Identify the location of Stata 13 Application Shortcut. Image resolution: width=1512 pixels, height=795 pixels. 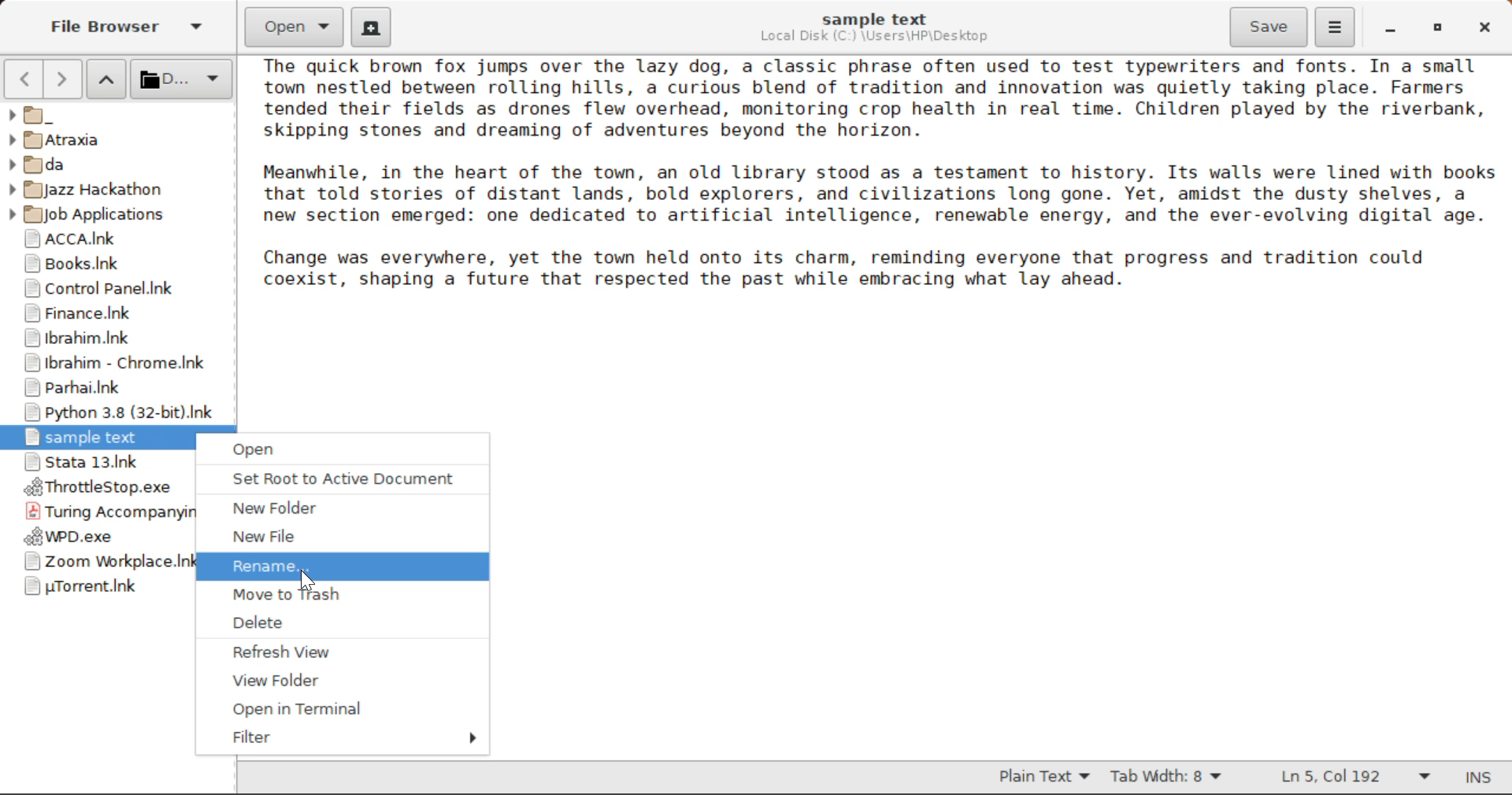
(96, 462).